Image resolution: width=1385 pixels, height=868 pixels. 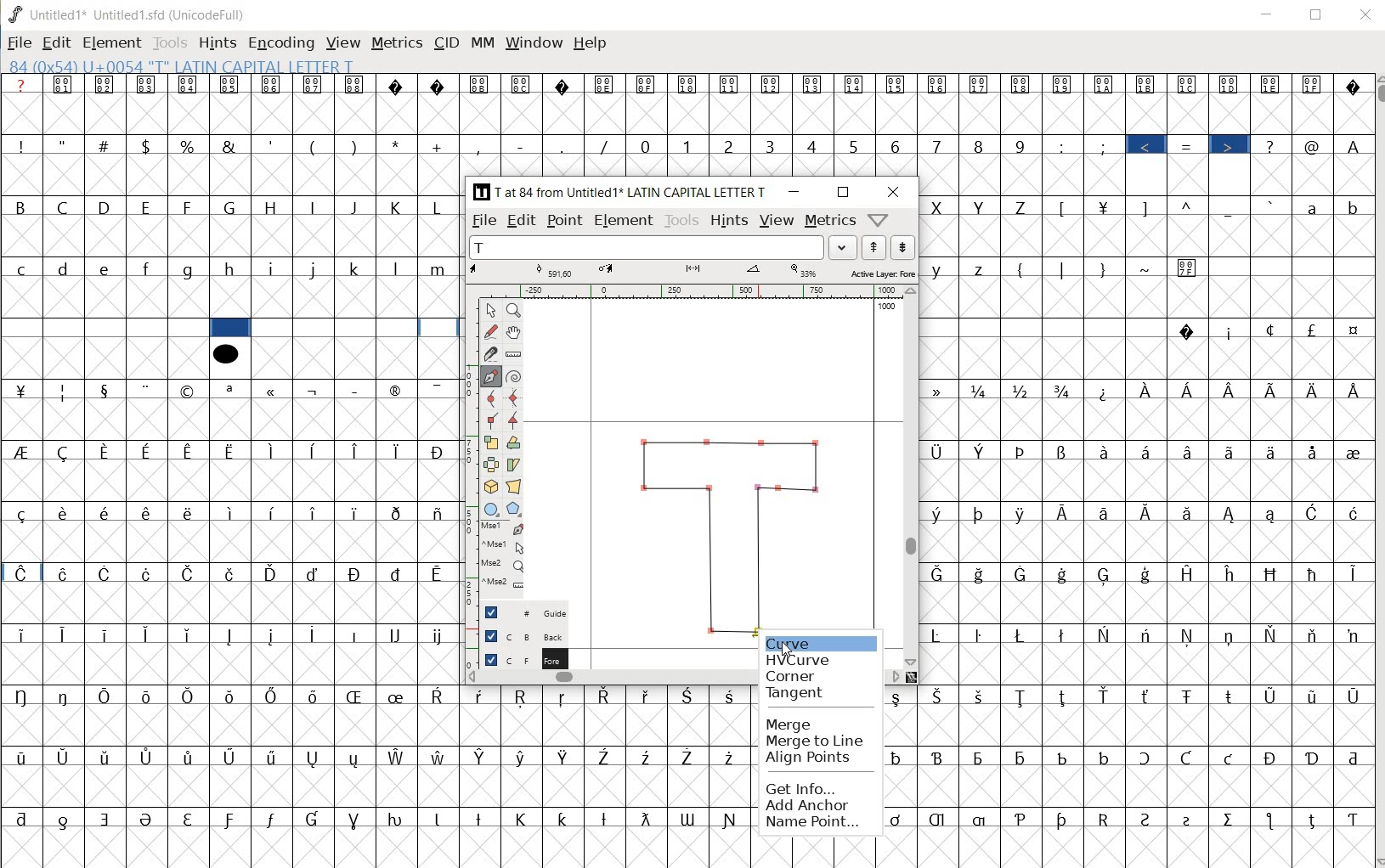 What do you see at coordinates (400, 144) in the screenshot?
I see `*` at bounding box center [400, 144].